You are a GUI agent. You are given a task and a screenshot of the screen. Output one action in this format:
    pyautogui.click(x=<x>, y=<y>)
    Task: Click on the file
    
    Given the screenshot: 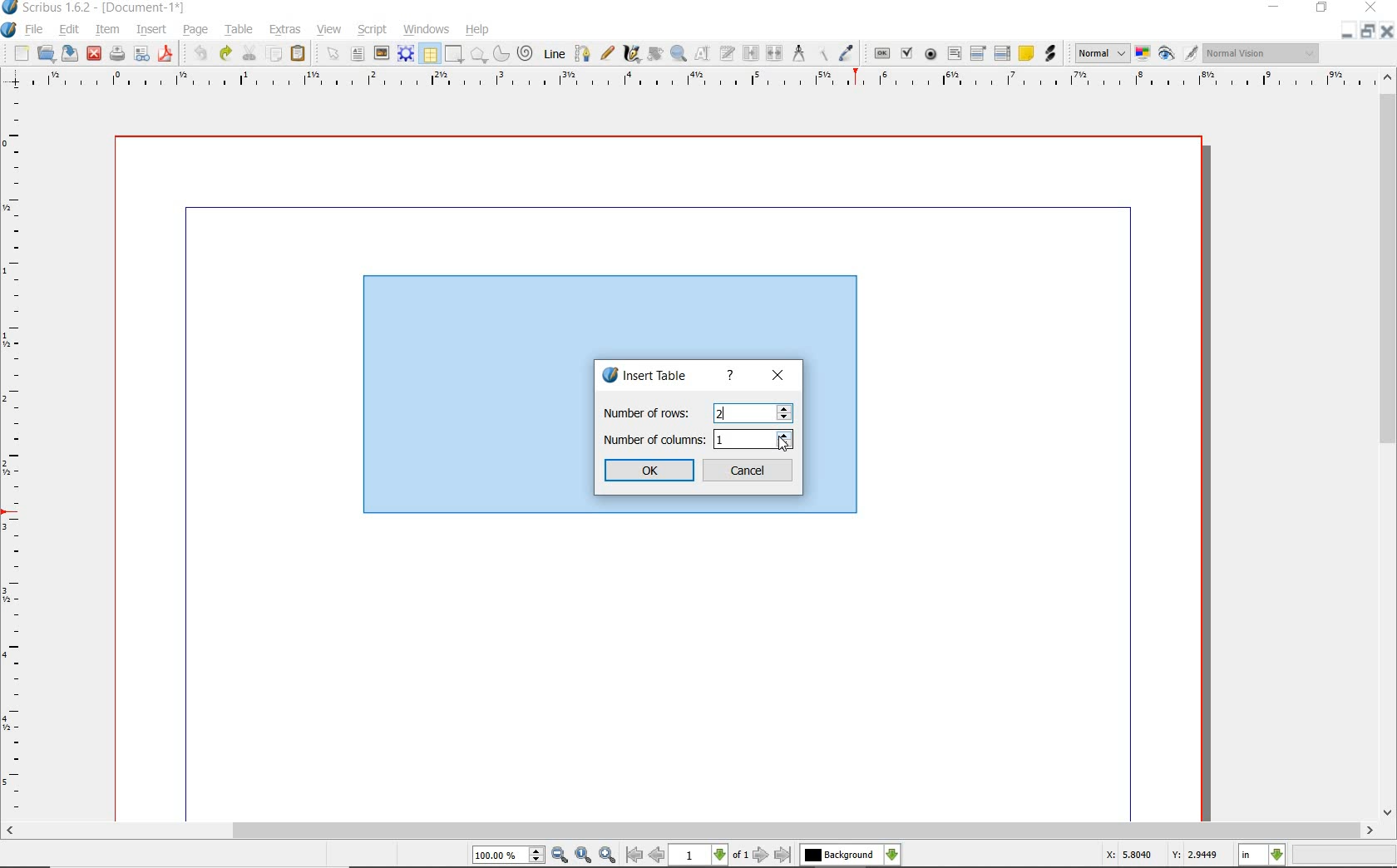 What is the action you would take?
    pyautogui.click(x=35, y=31)
    